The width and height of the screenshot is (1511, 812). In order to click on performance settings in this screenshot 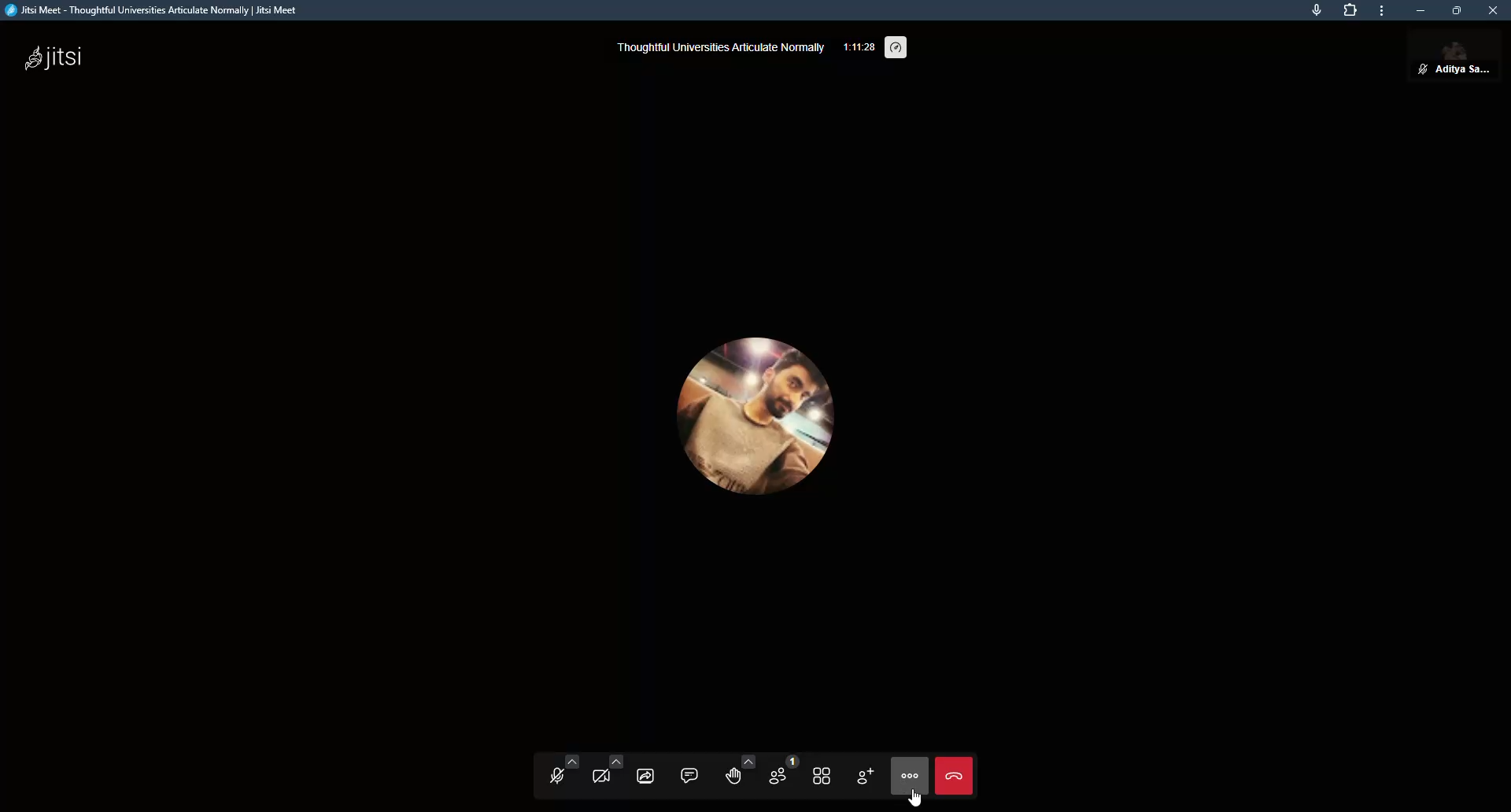, I will do `click(900, 43)`.